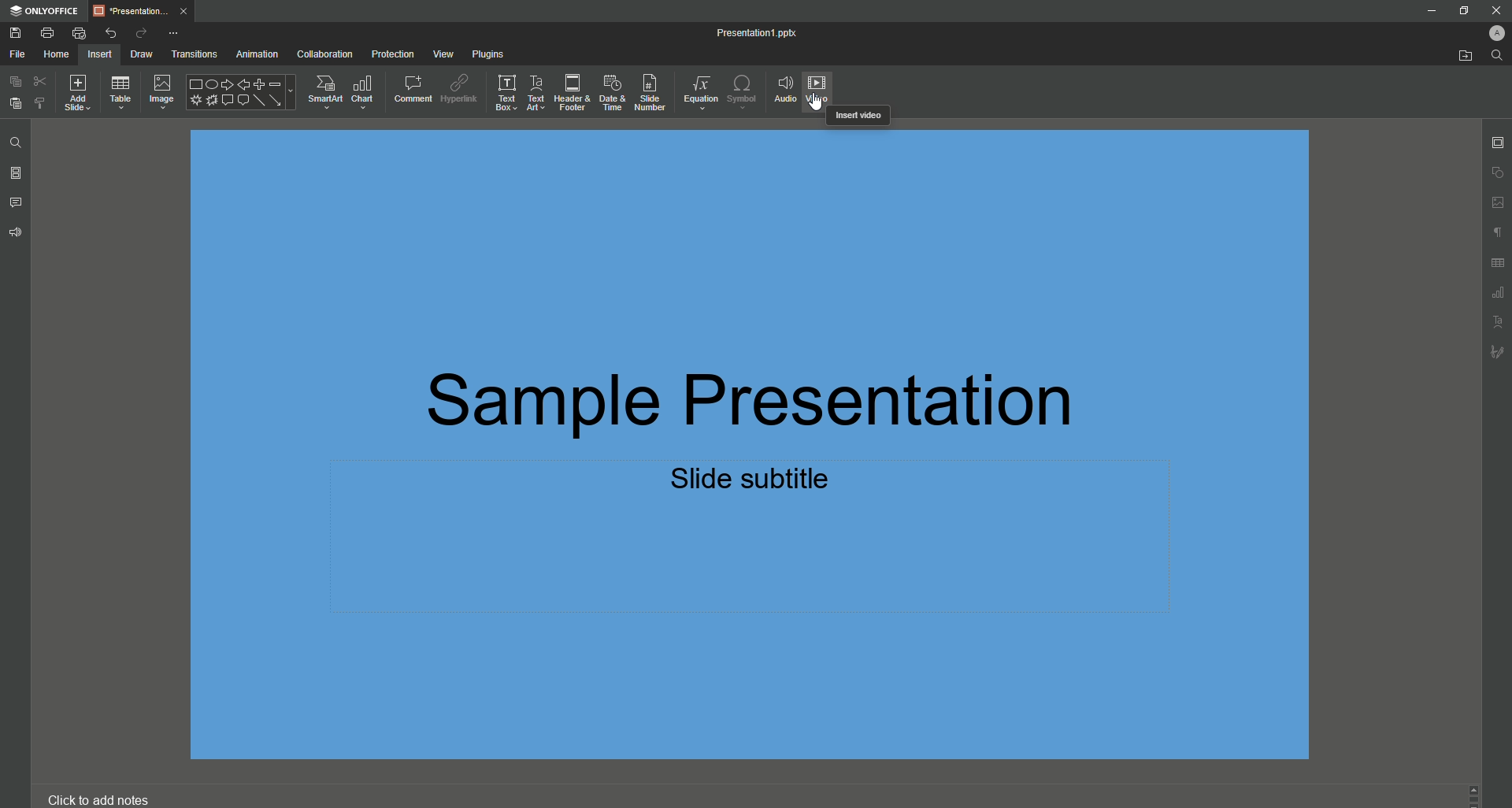 The image size is (1512, 808). I want to click on Animation, so click(254, 54).